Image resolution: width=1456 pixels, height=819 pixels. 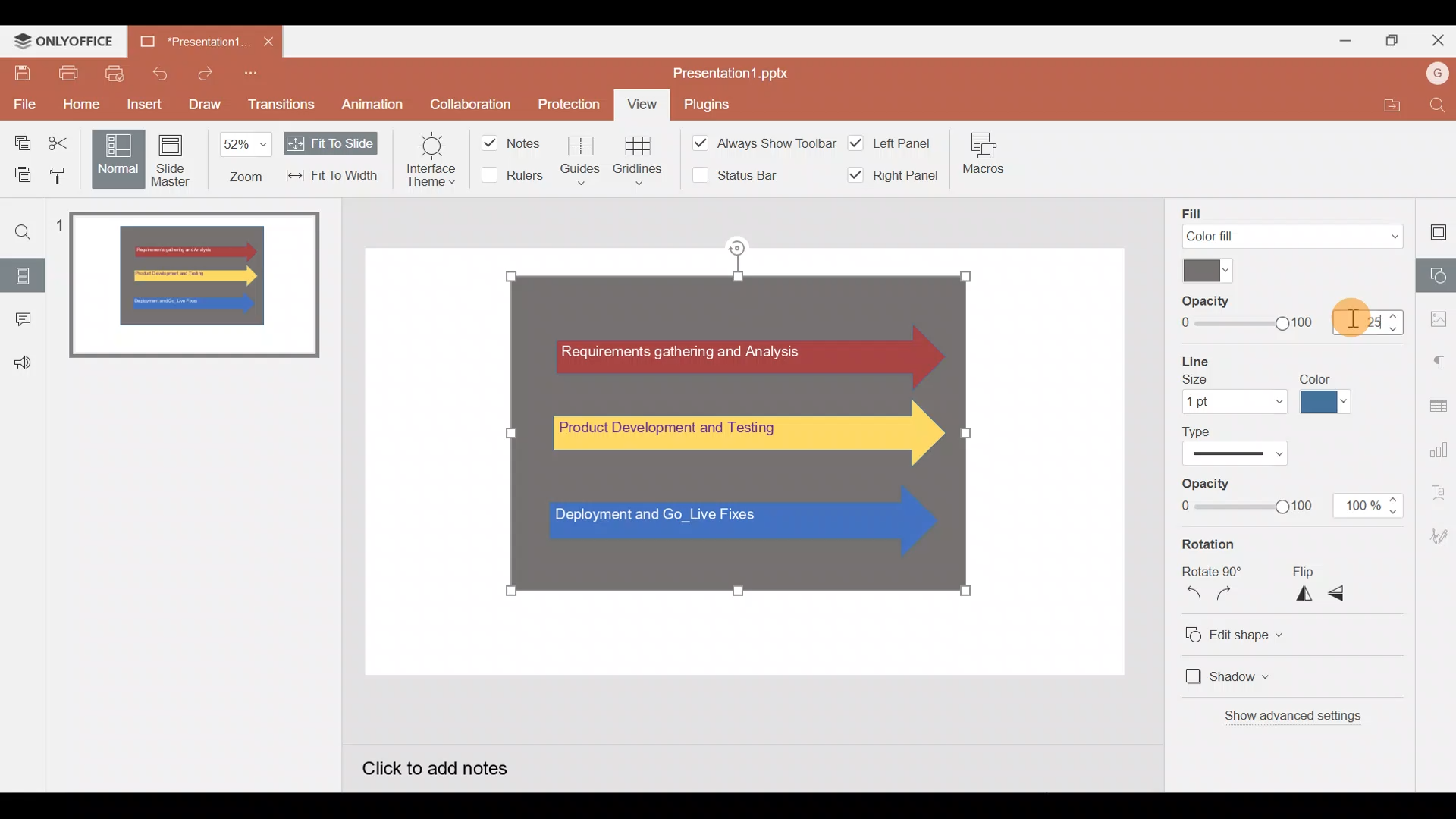 I want to click on Plugins, so click(x=707, y=106).